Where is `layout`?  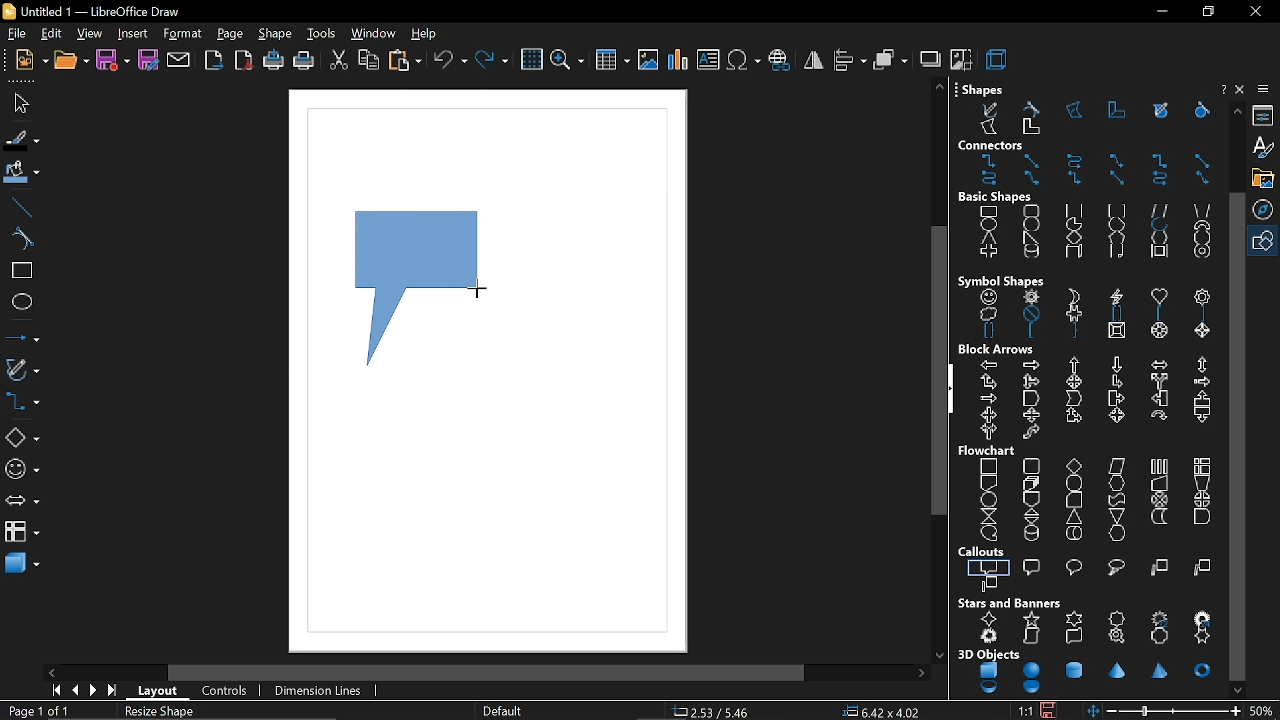
layout is located at coordinates (156, 691).